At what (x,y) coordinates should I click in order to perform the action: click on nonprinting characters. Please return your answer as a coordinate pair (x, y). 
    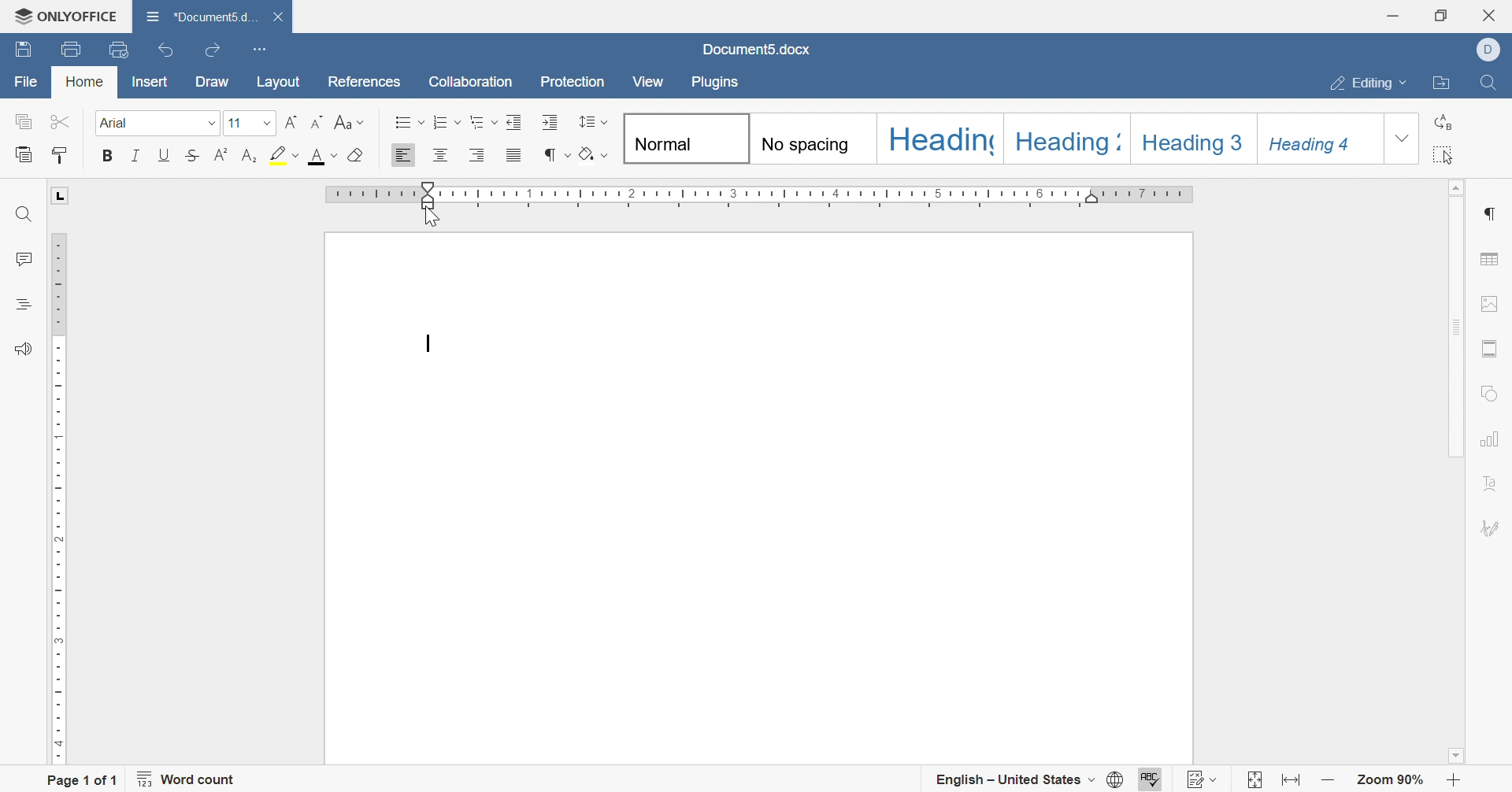
    Looking at the image, I should click on (554, 154).